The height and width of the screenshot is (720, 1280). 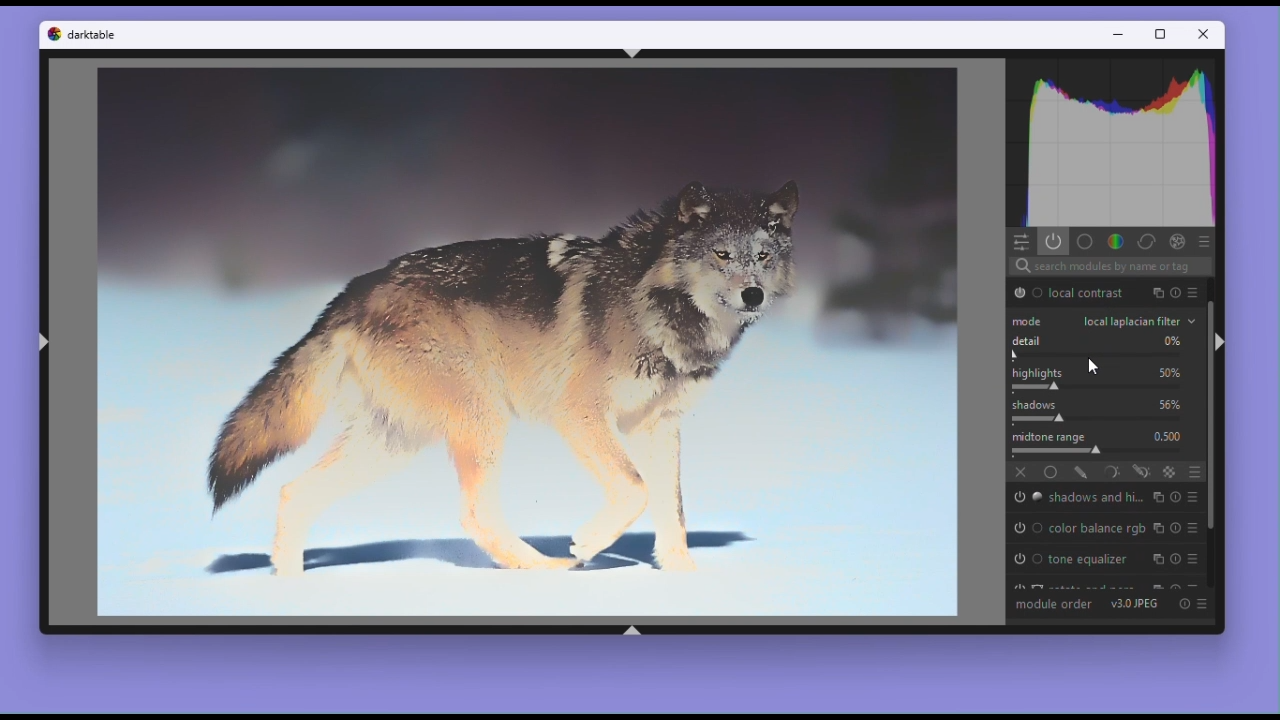 What do you see at coordinates (1093, 499) in the screenshot?
I see `shadows and highlights` at bounding box center [1093, 499].